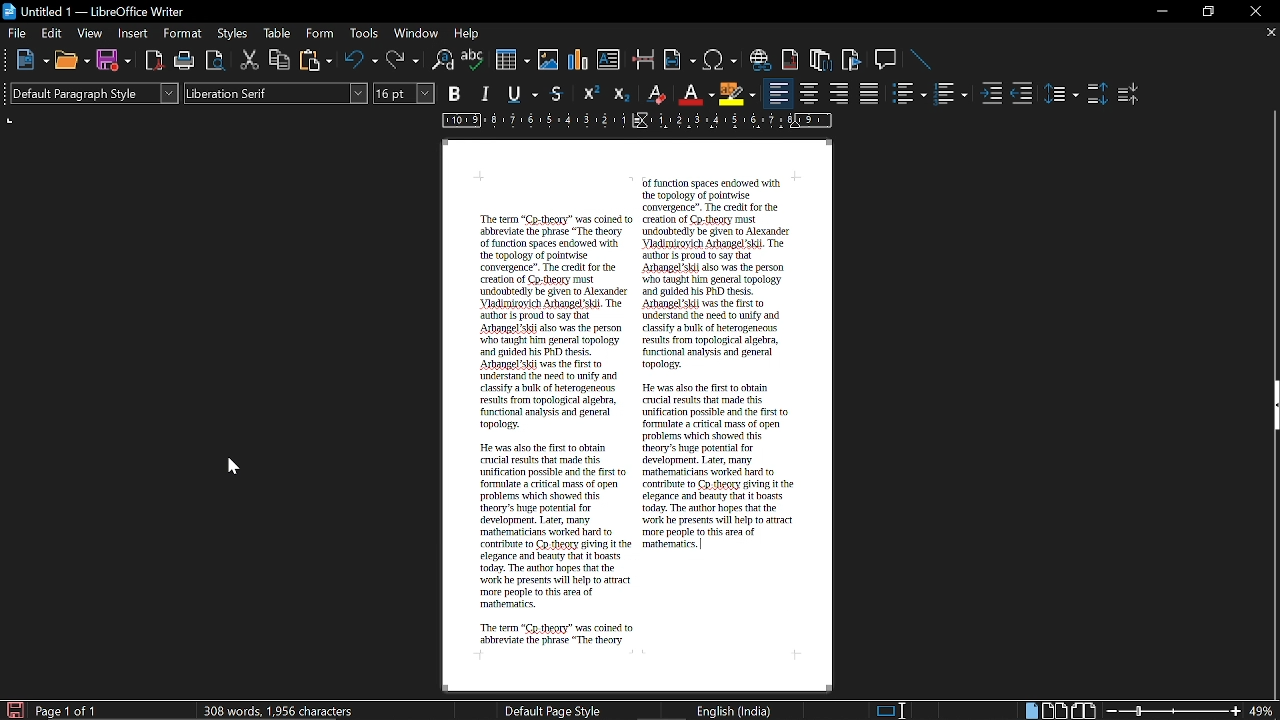  What do you see at coordinates (839, 92) in the screenshot?
I see `align right` at bounding box center [839, 92].